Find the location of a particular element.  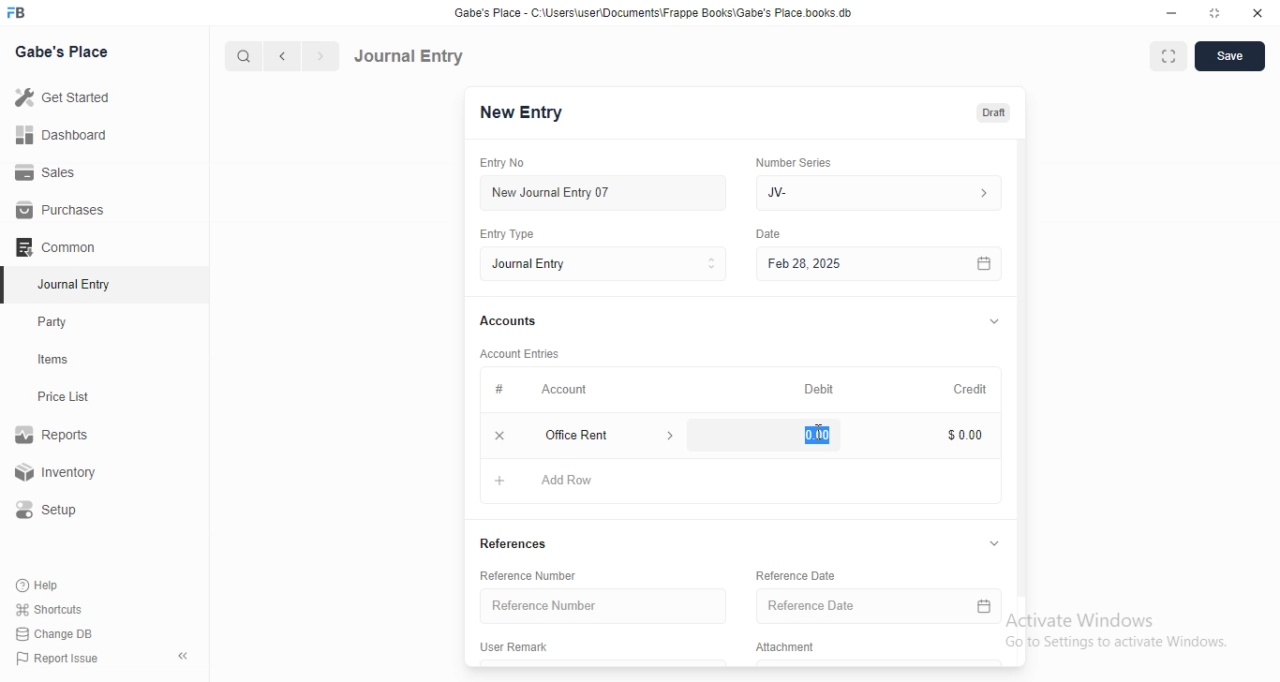

fullscreen is located at coordinates (1169, 58).